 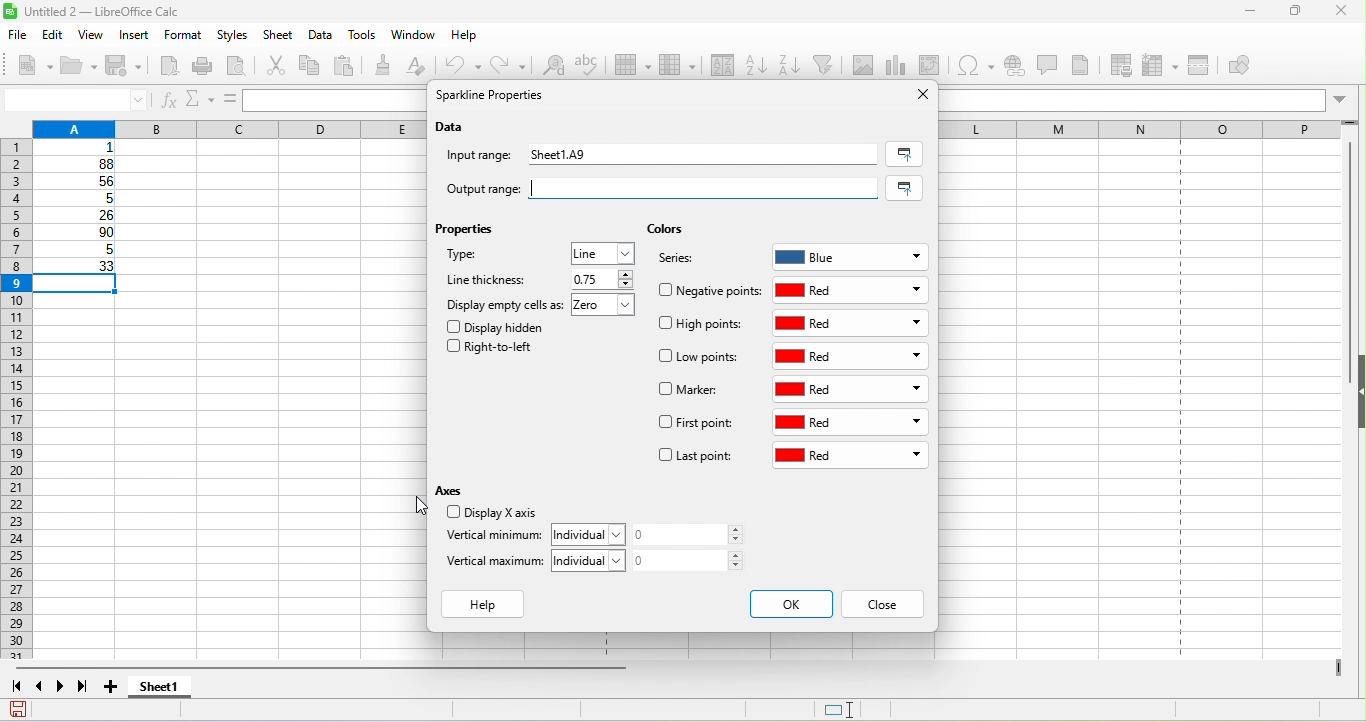 I want to click on sparkline properties, so click(x=494, y=97).